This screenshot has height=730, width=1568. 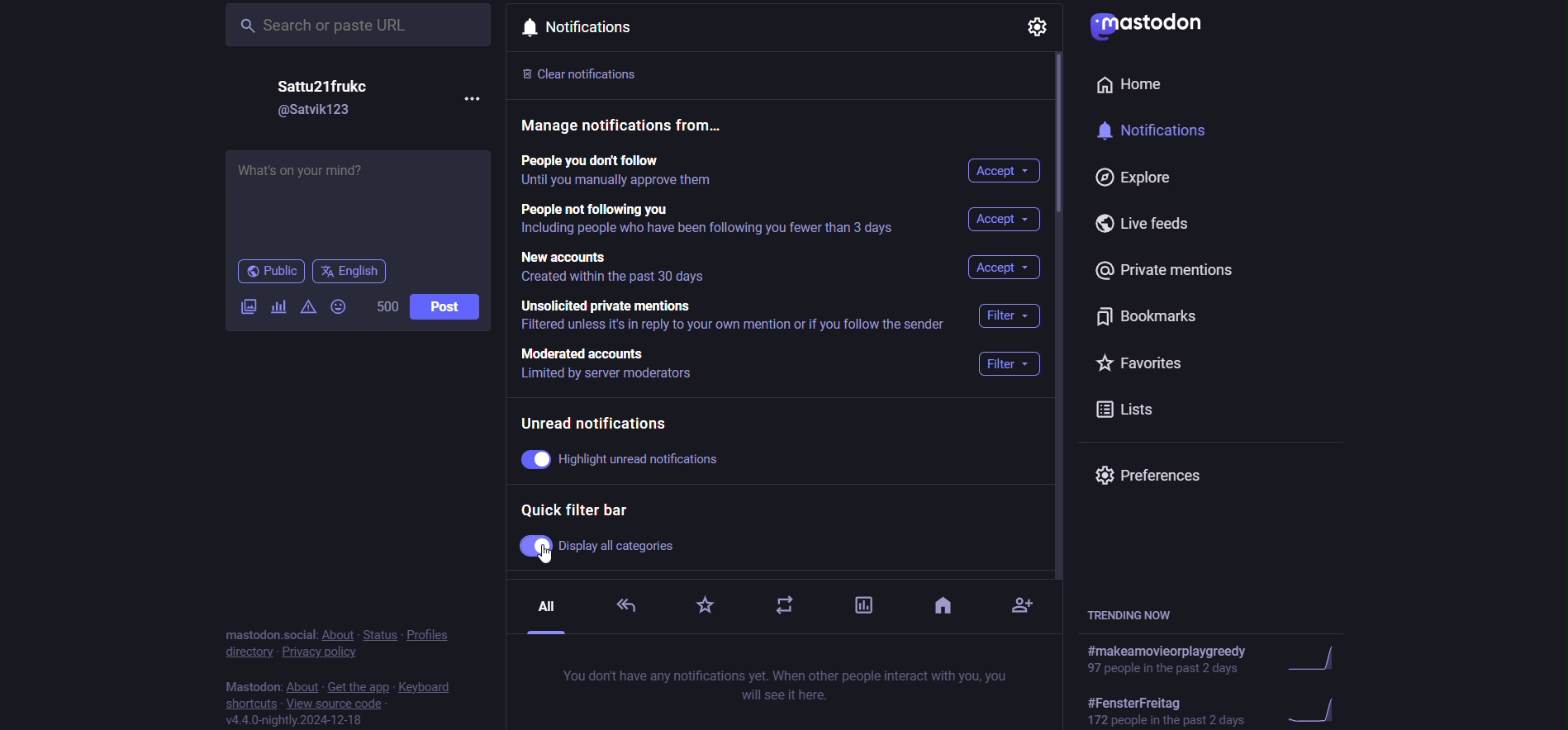 I want to click on unsolicited private mentions Filtered unless it's in reply to your own mention or if you follow the sender, so click(x=738, y=318).